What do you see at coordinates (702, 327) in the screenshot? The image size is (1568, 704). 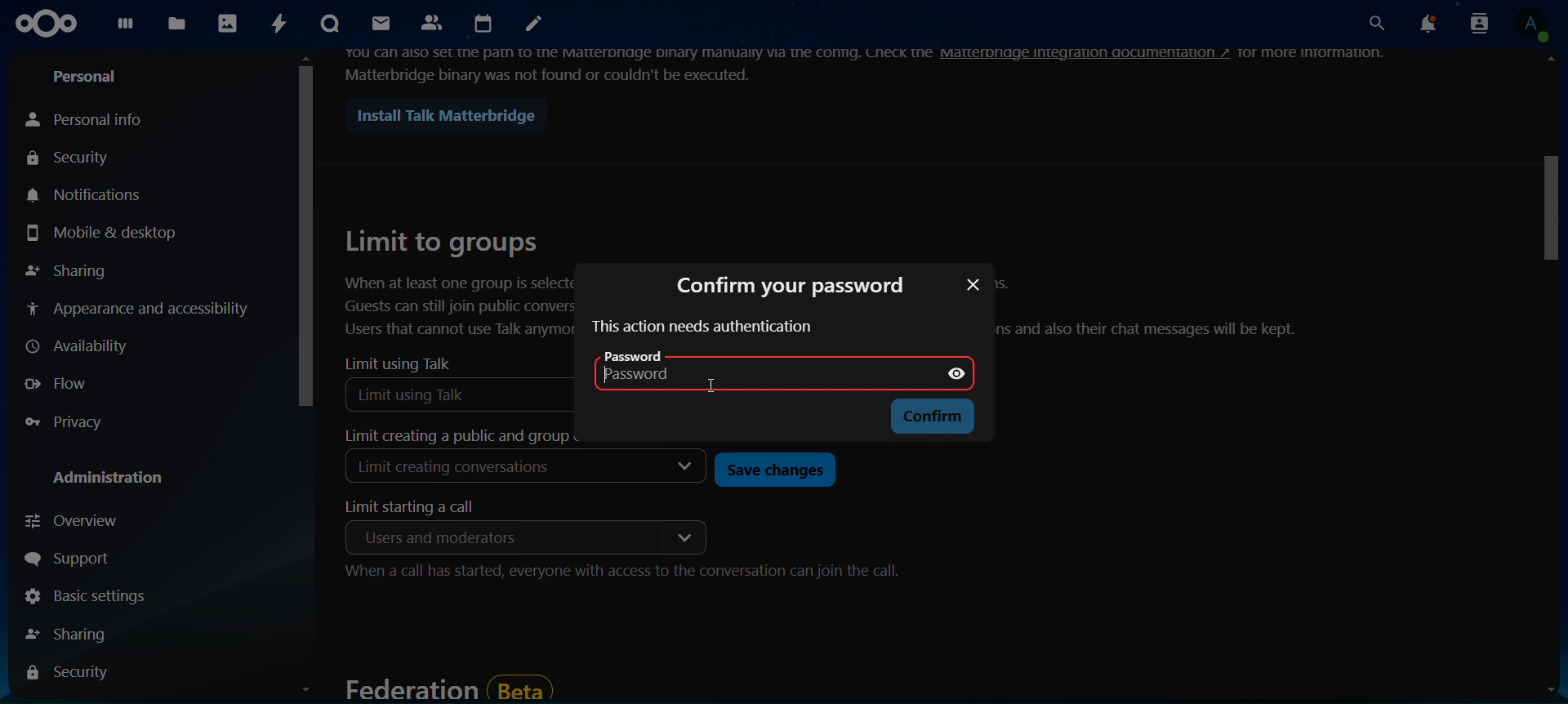 I see `text` at bounding box center [702, 327].